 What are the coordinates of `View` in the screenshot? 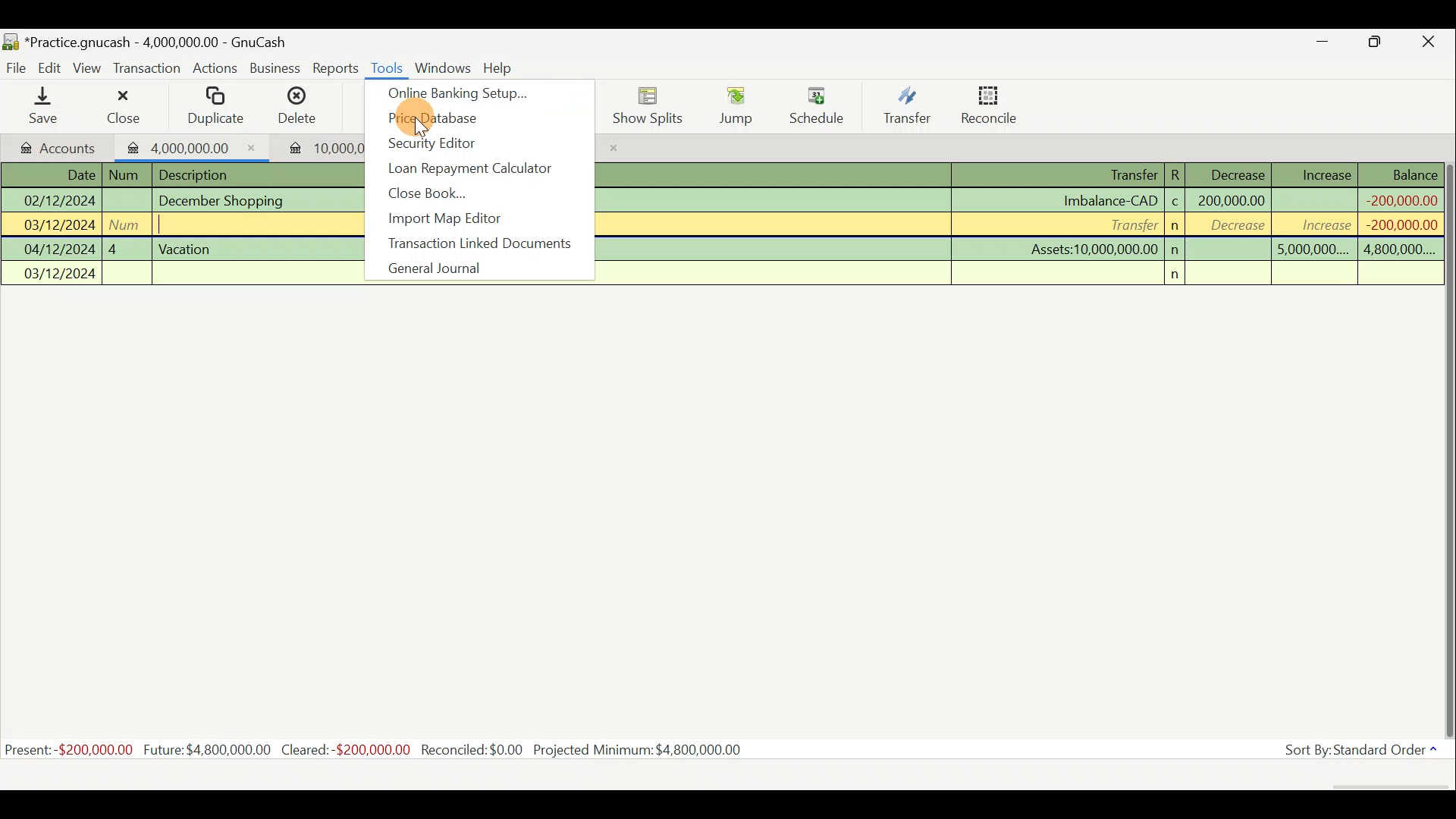 It's located at (92, 67).